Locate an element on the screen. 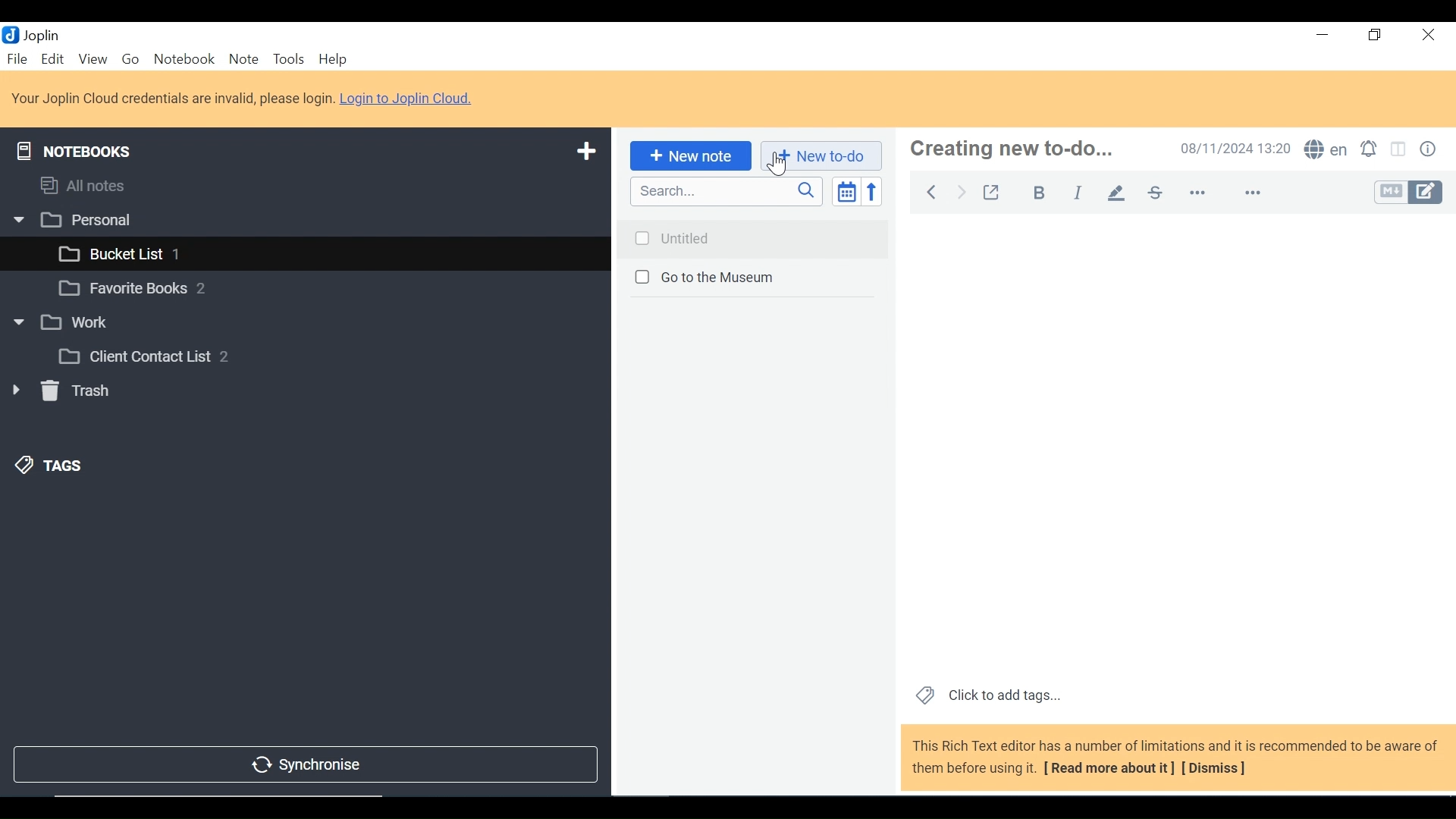 The image size is (1456, 819). Note Name is located at coordinates (1014, 149).